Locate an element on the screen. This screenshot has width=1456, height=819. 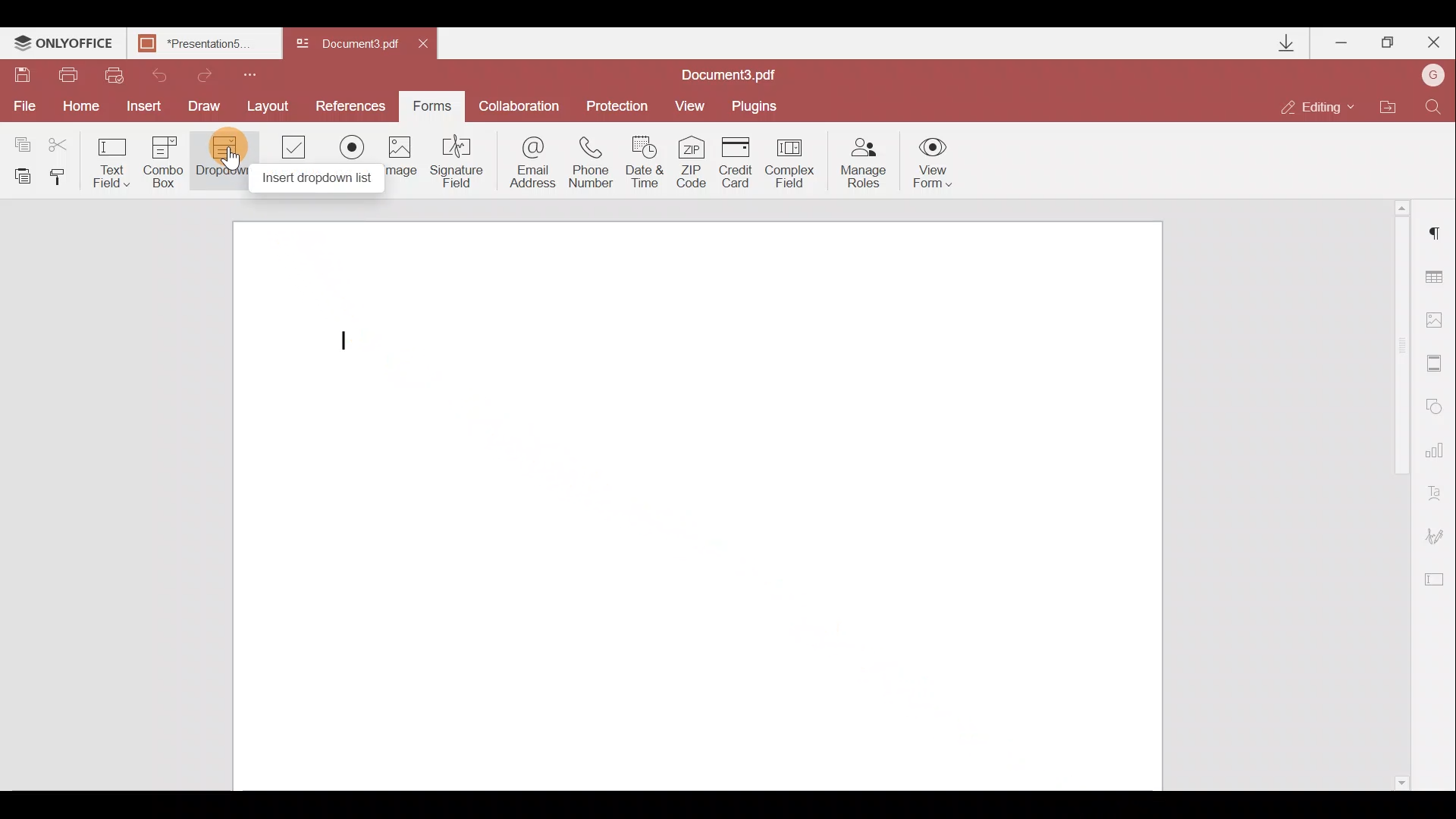
Form settings is located at coordinates (1436, 579).